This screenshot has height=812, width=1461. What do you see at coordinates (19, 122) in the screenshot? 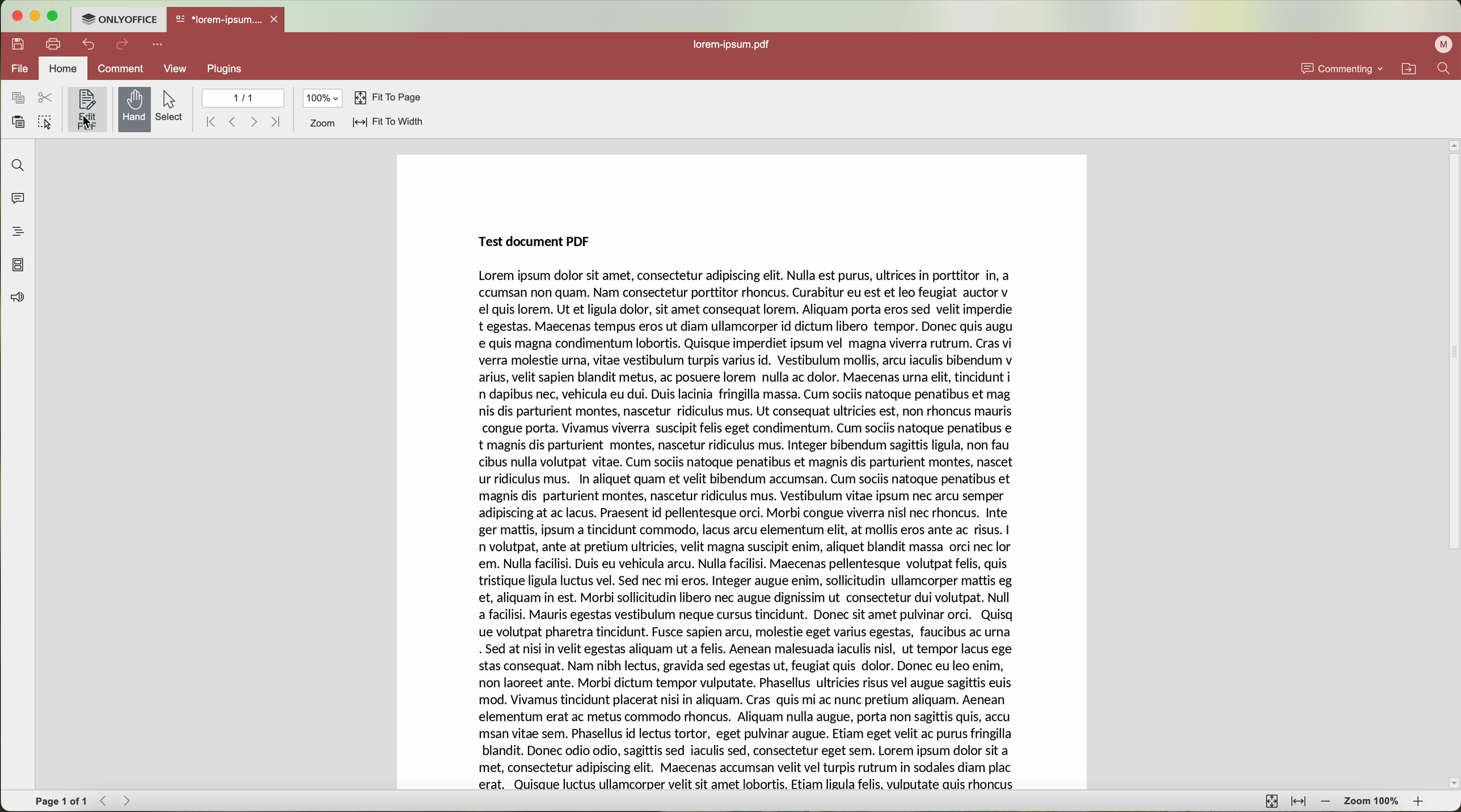
I see `paste` at bounding box center [19, 122].